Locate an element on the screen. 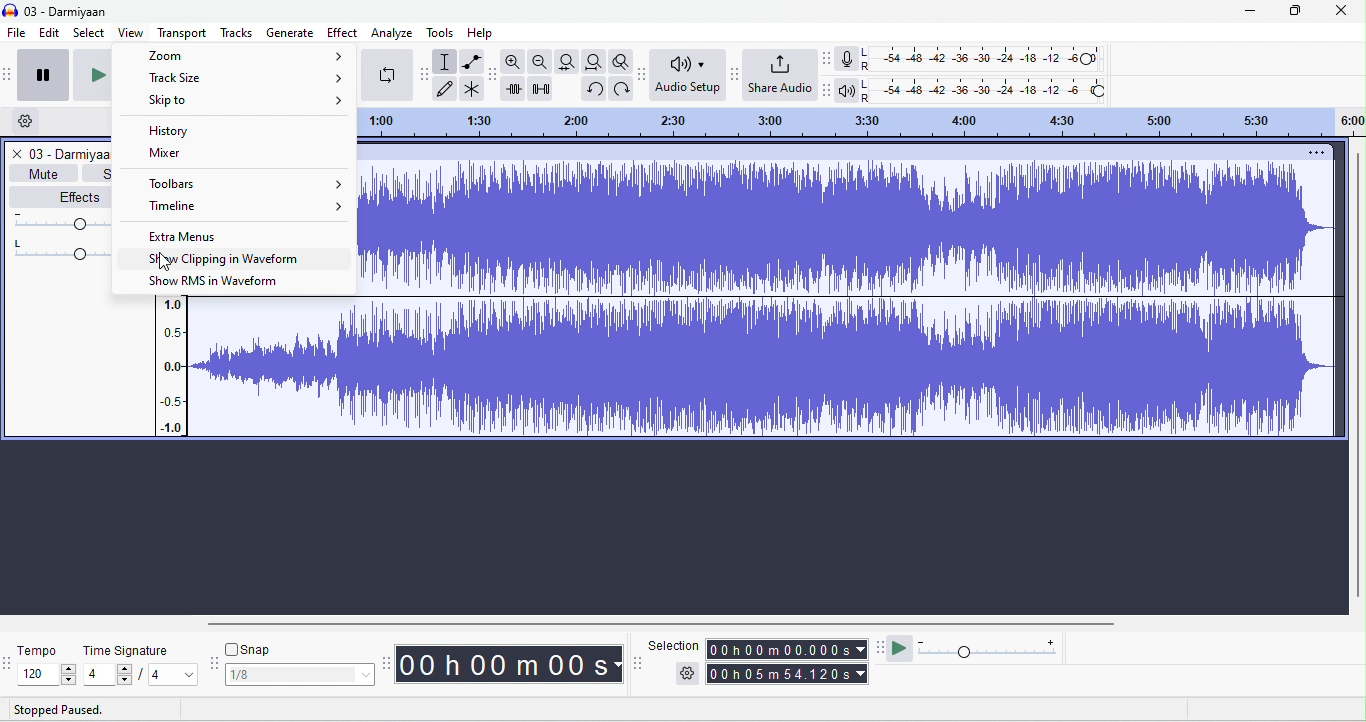 The height and width of the screenshot is (722, 1366). show RMS in waveform is located at coordinates (215, 281).